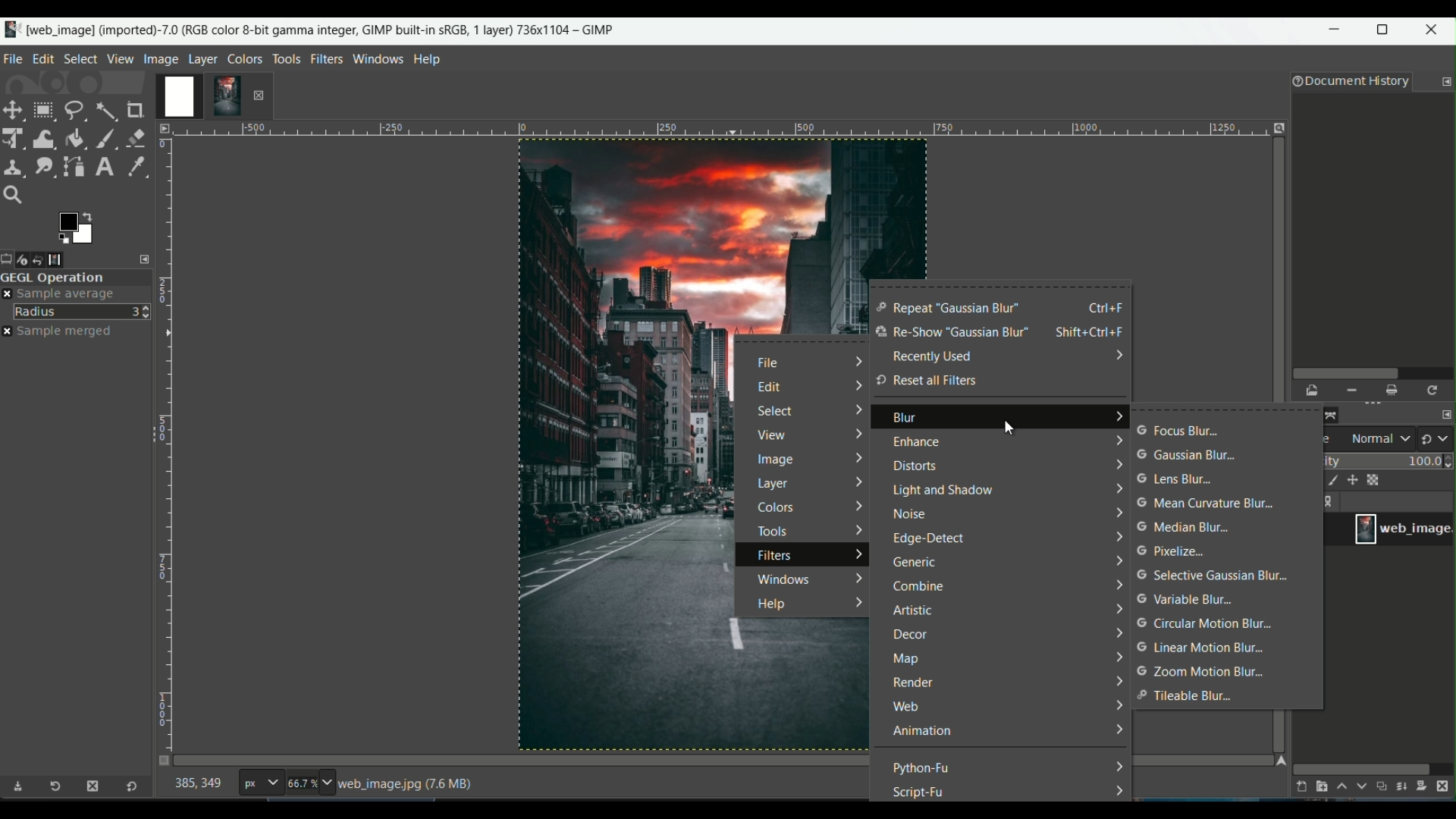  Describe the element at coordinates (1370, 440) in the screenshot. I see `mode` at that location.